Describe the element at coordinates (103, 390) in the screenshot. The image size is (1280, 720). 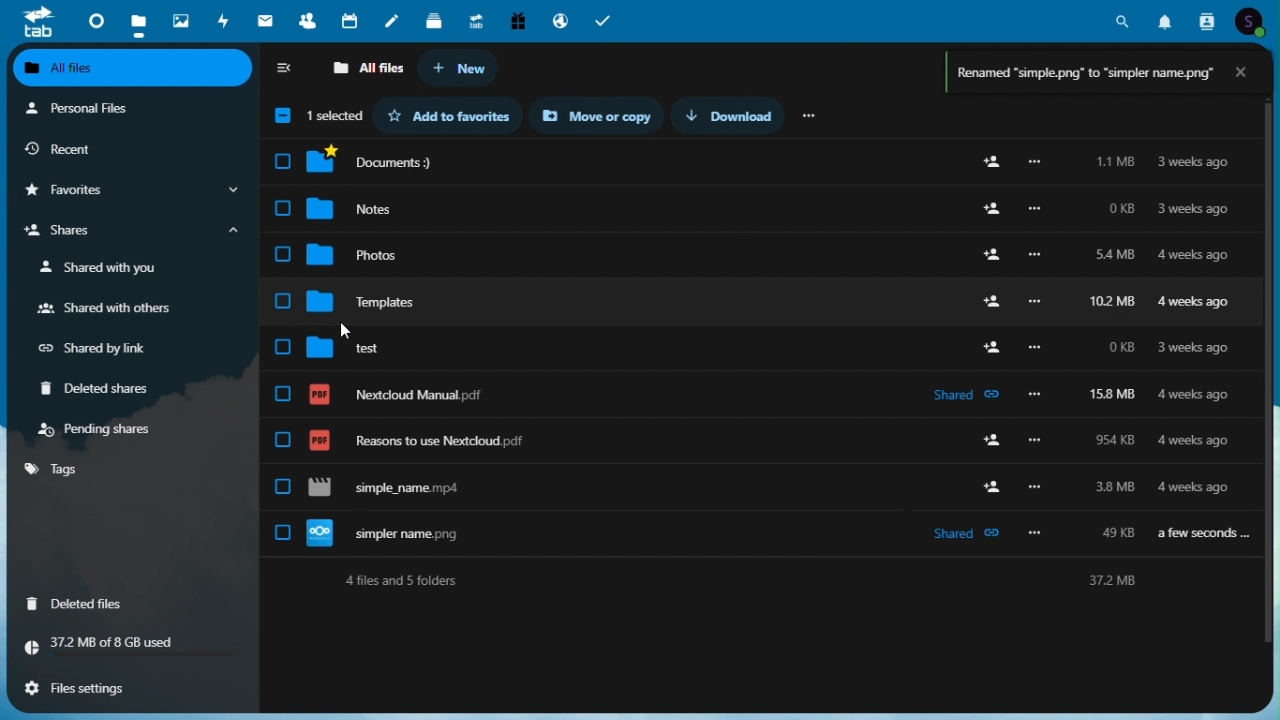
I see `deleted  shares` at that location.